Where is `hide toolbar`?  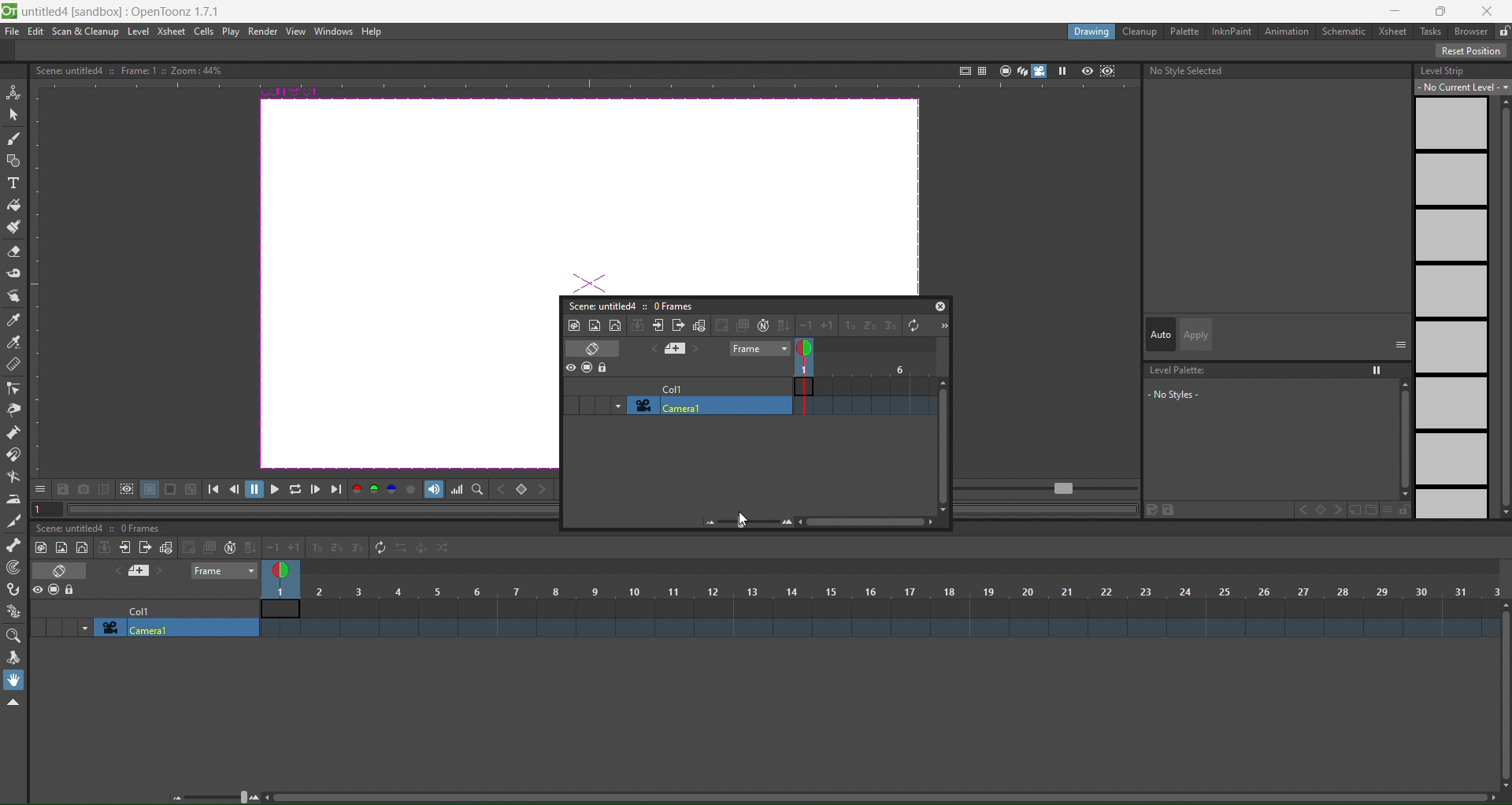 hide toolbar is located at coordinates (13, 703).